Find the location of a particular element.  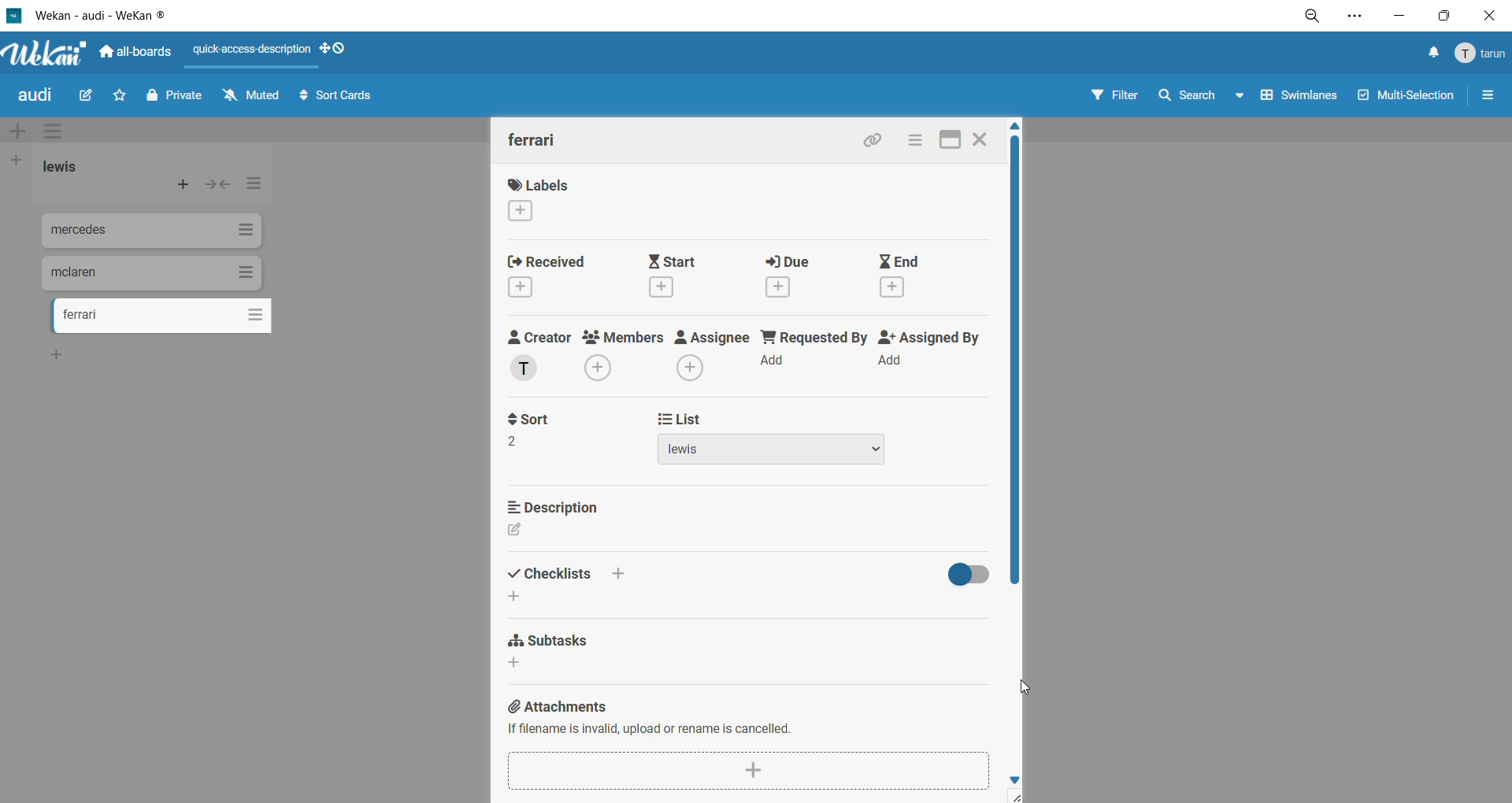

edit is located at coordinates (520, 530).